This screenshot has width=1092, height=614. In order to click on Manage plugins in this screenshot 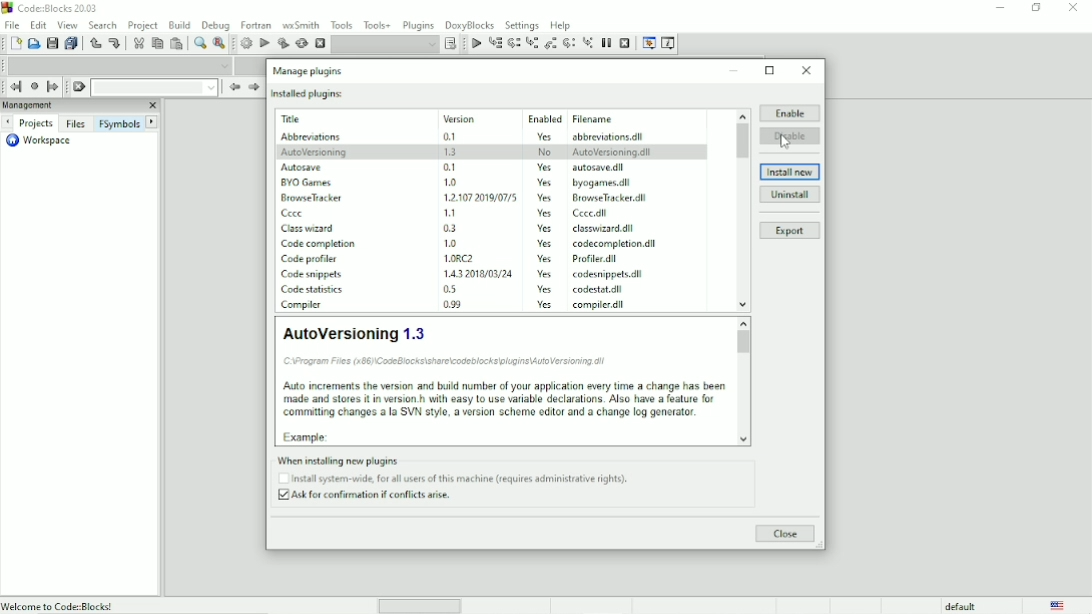, I will do `click(307, 70)`.